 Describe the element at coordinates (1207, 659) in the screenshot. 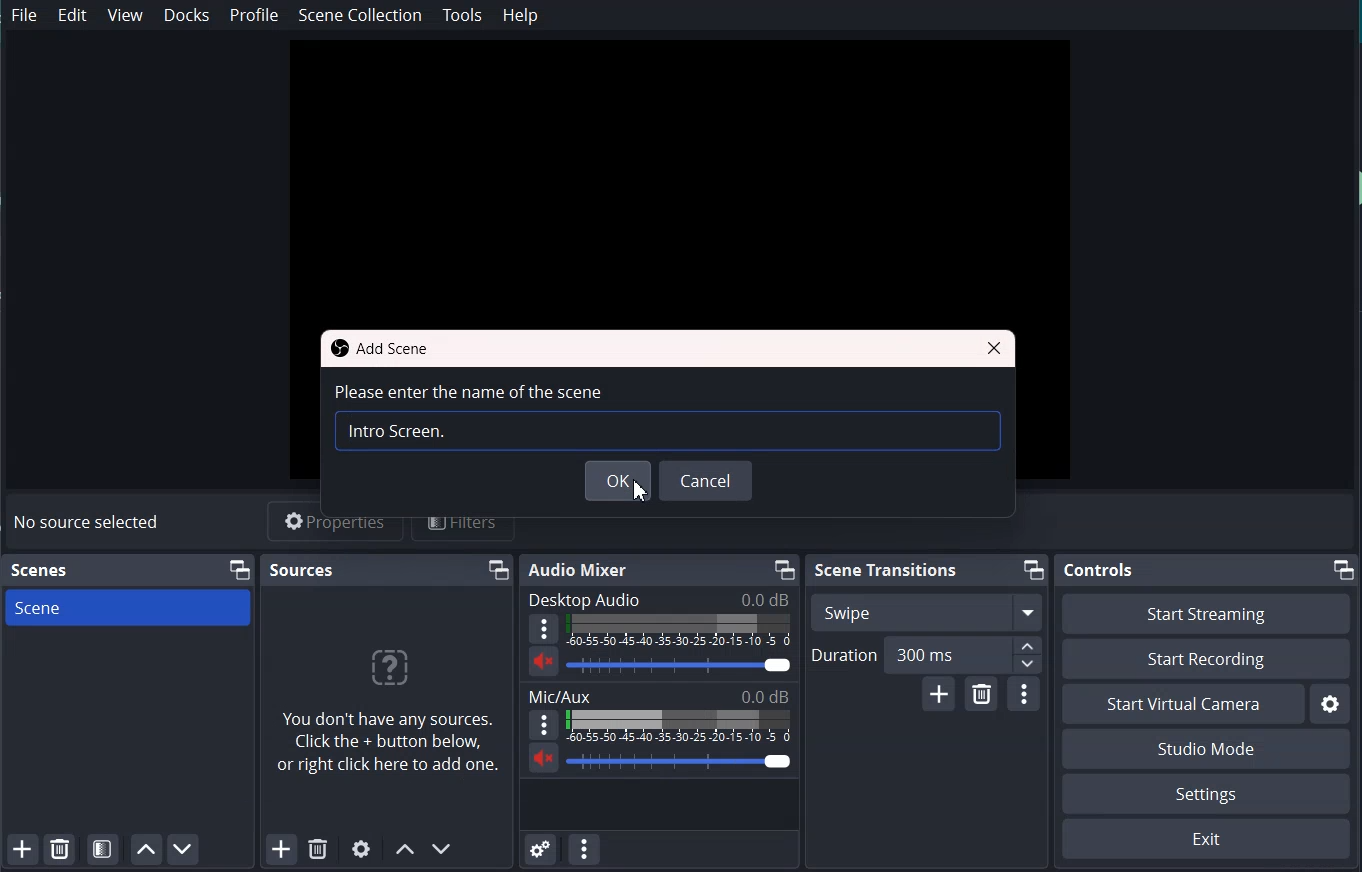

I see `Start Recording` at that location.